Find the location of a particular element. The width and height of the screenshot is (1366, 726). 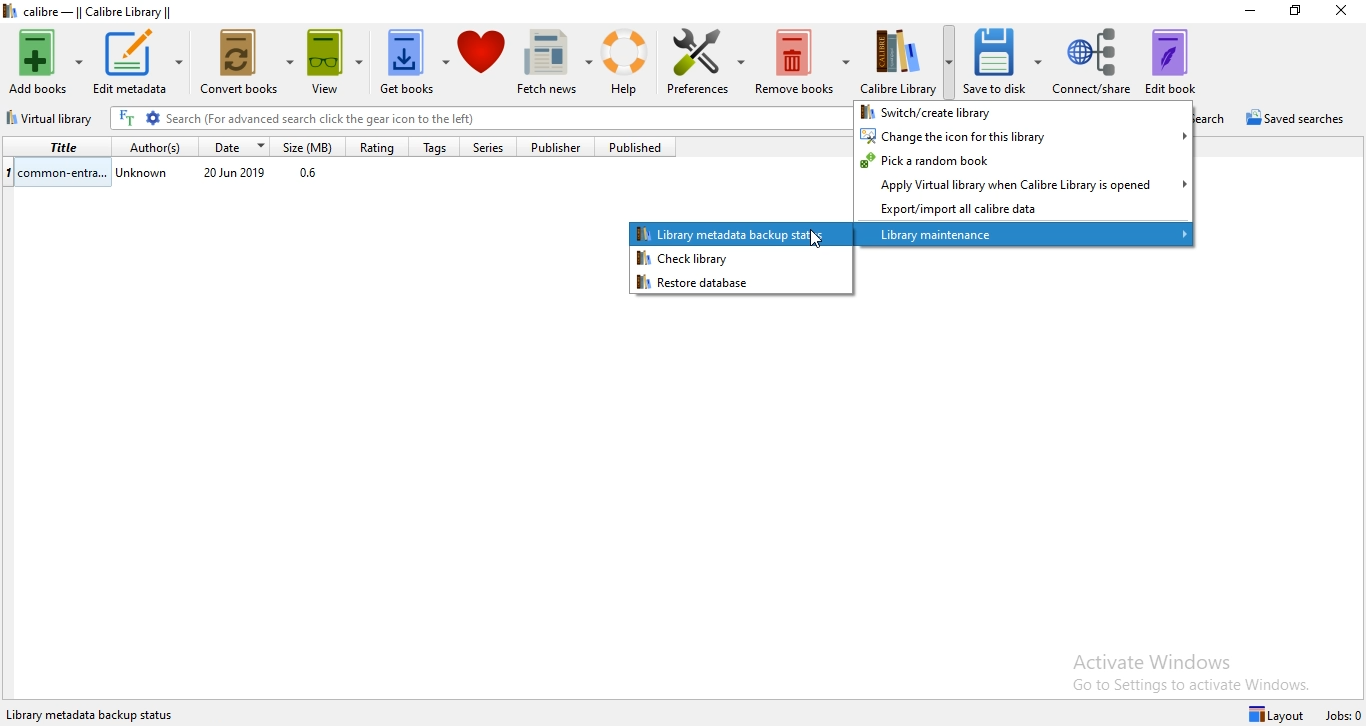

library maintenance is located at coordinates (1025, 235).